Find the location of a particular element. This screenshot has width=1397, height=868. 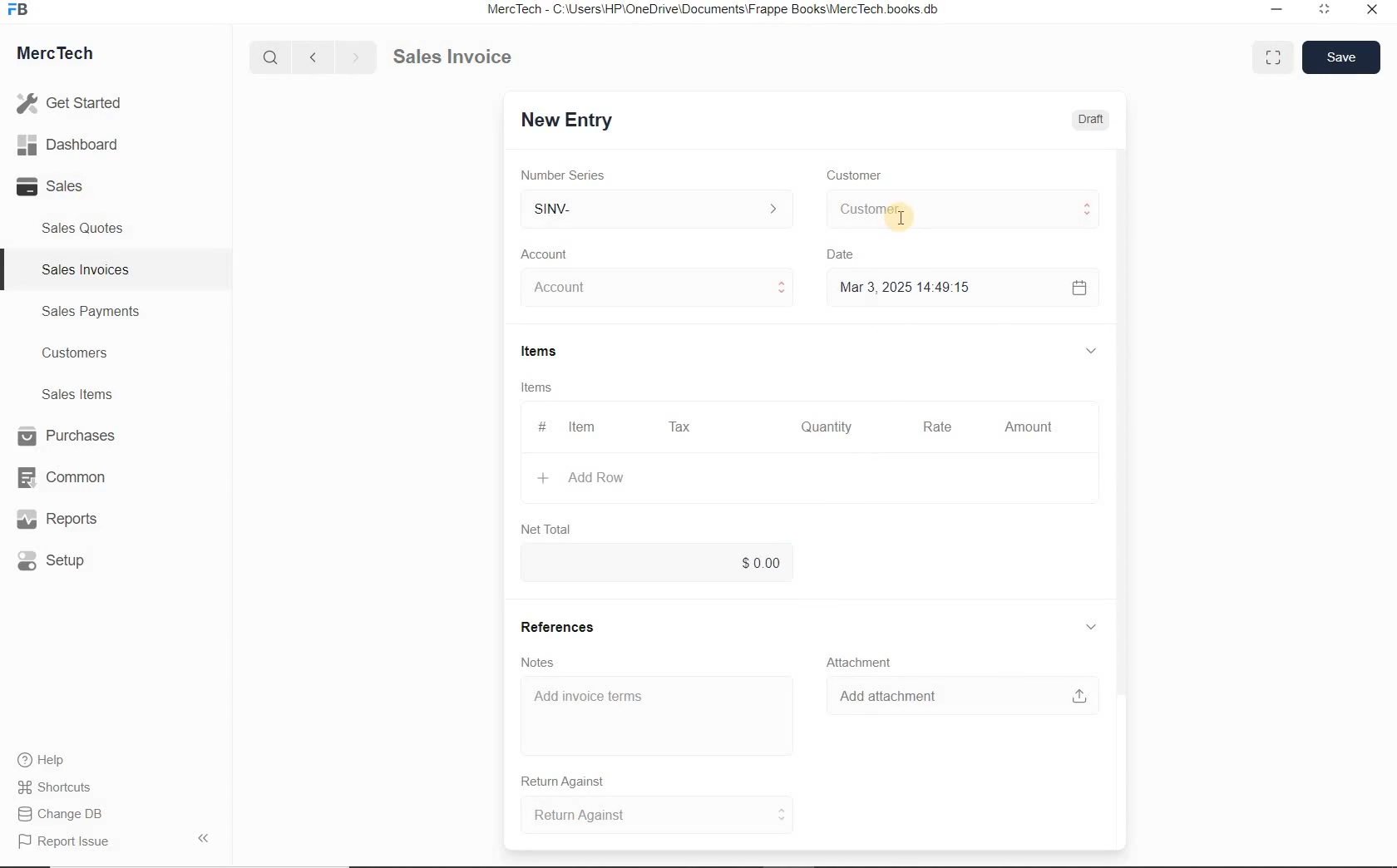

Sales Payments is located at coordinates (88, 312).